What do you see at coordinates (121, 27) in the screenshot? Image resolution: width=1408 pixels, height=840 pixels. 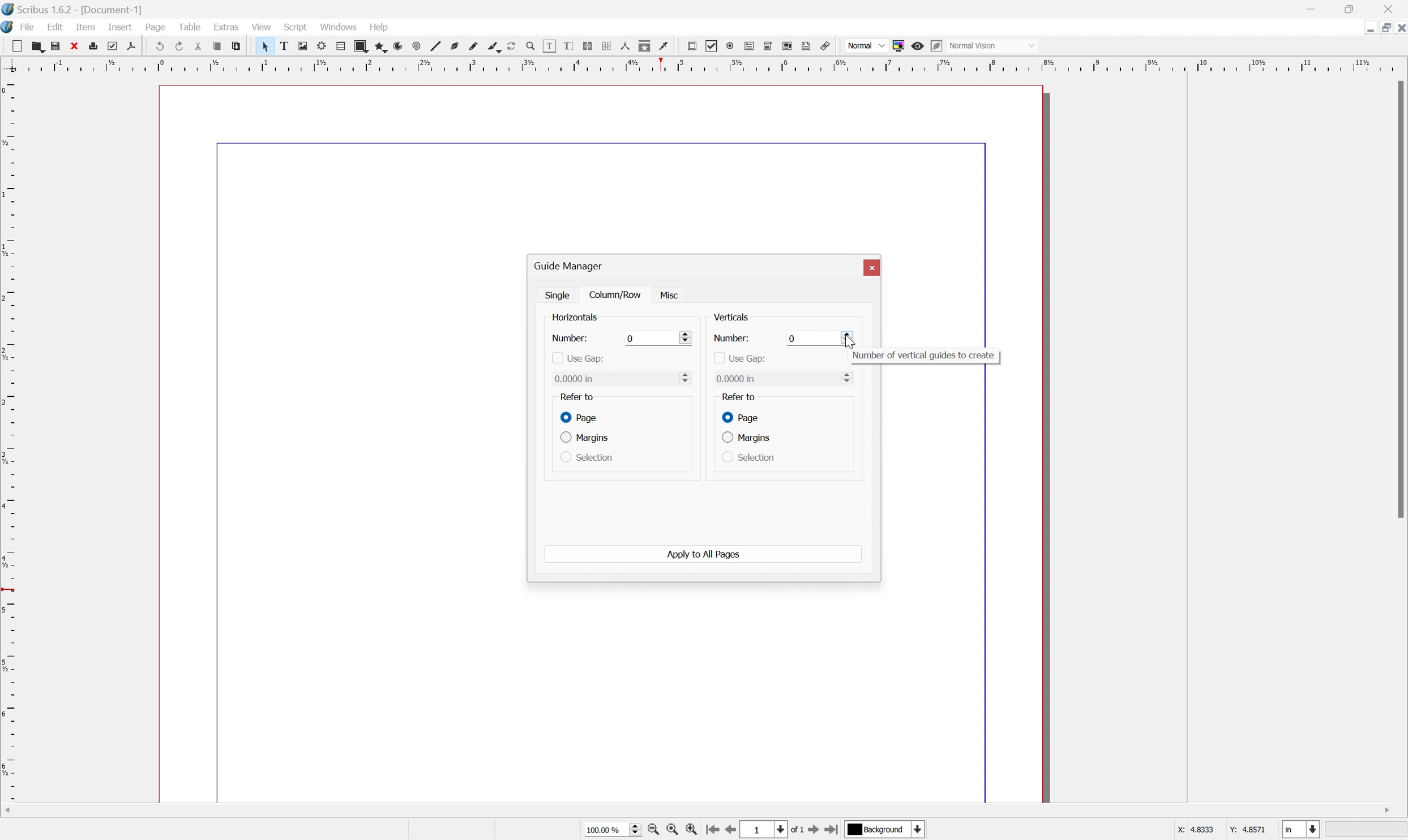 I see `insert` at bounding box center [121, 27].